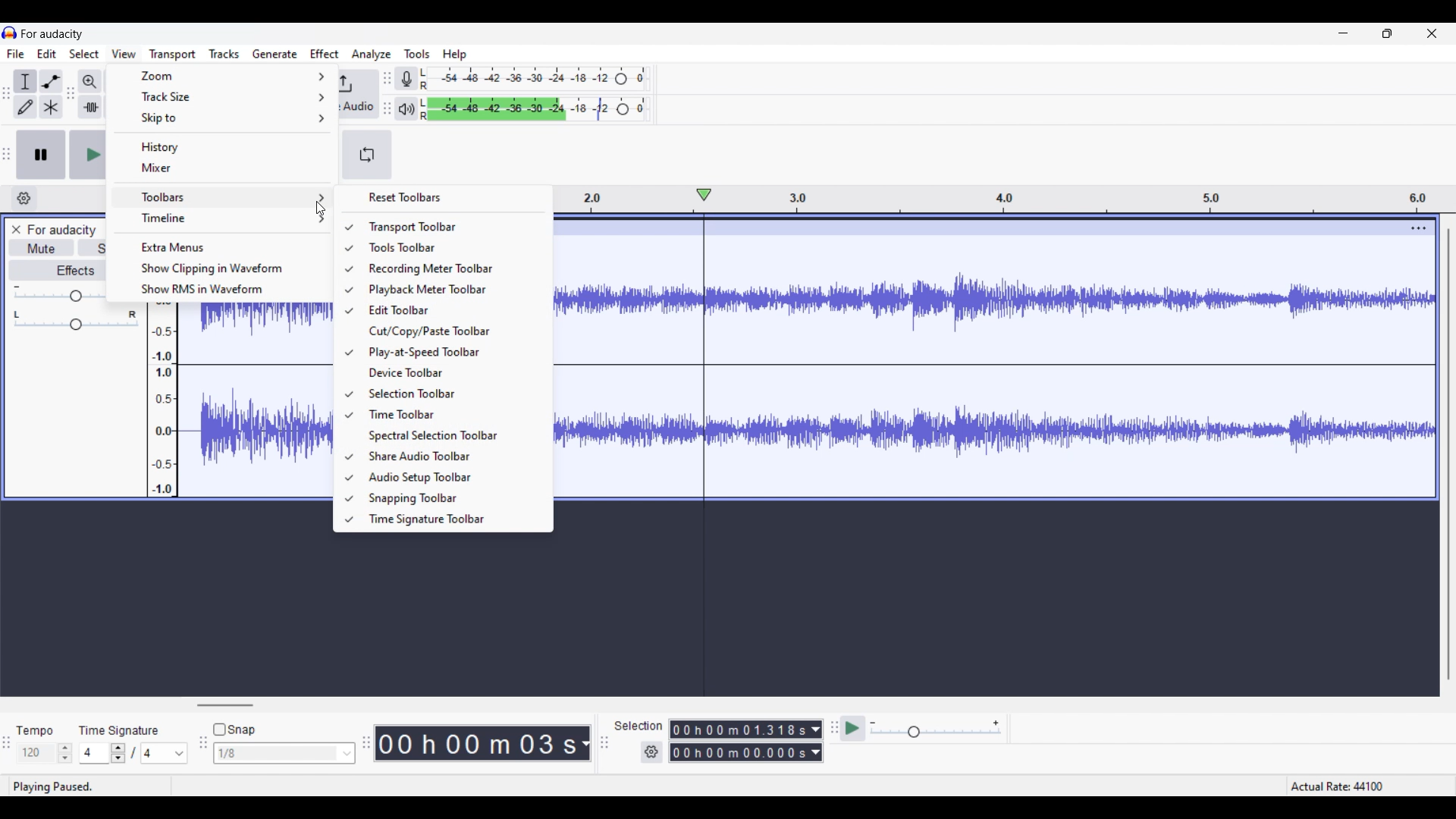 This screenshot has height=819, width=1456. I want to click on Draw tool, so click(25, 107).